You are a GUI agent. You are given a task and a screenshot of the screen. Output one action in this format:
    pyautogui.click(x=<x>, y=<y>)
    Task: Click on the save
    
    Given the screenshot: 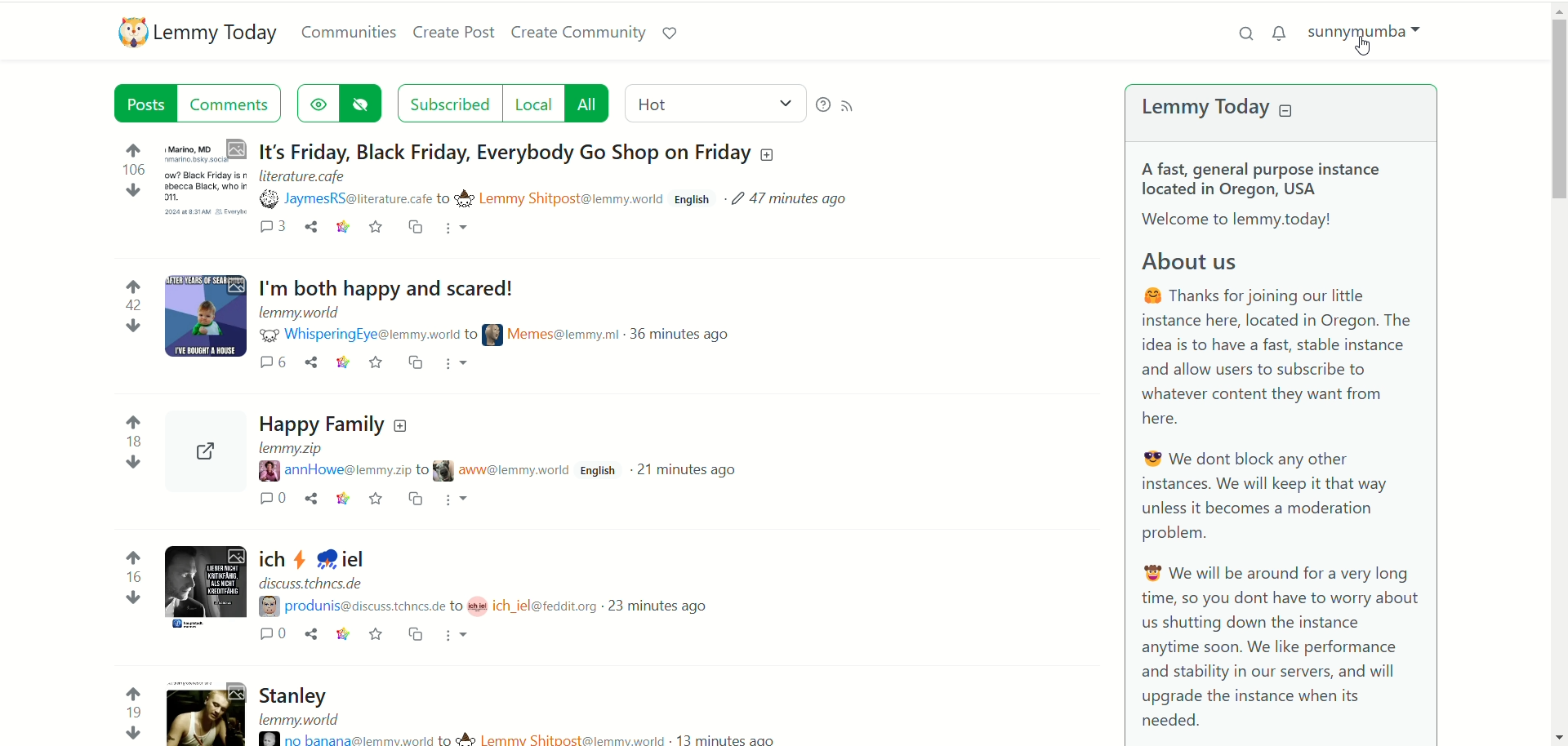 What is the action you would take?
    pyautogui.click(x=376, y=229)
    